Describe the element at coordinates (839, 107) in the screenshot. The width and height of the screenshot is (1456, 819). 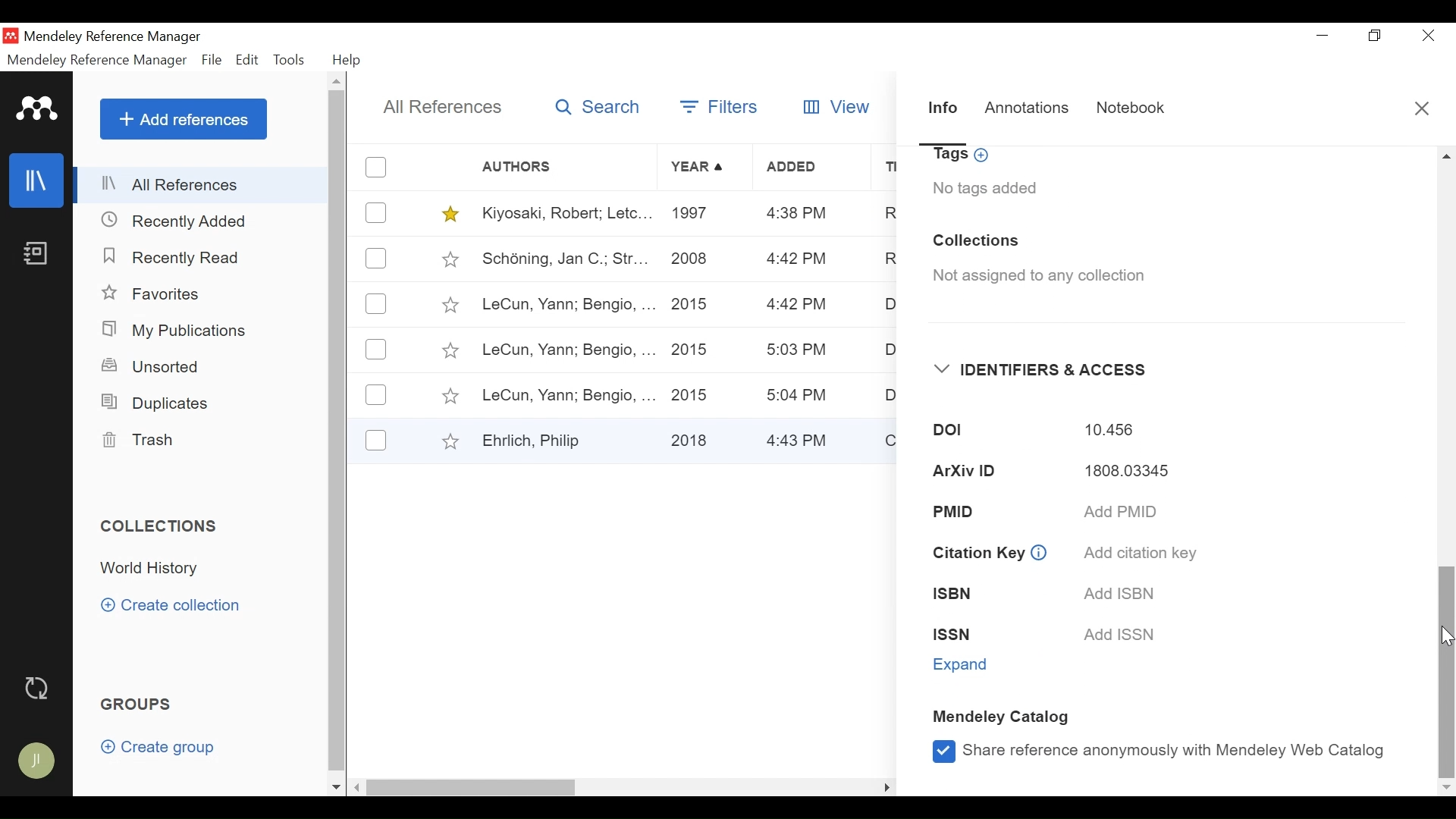
I see `View` at that location.